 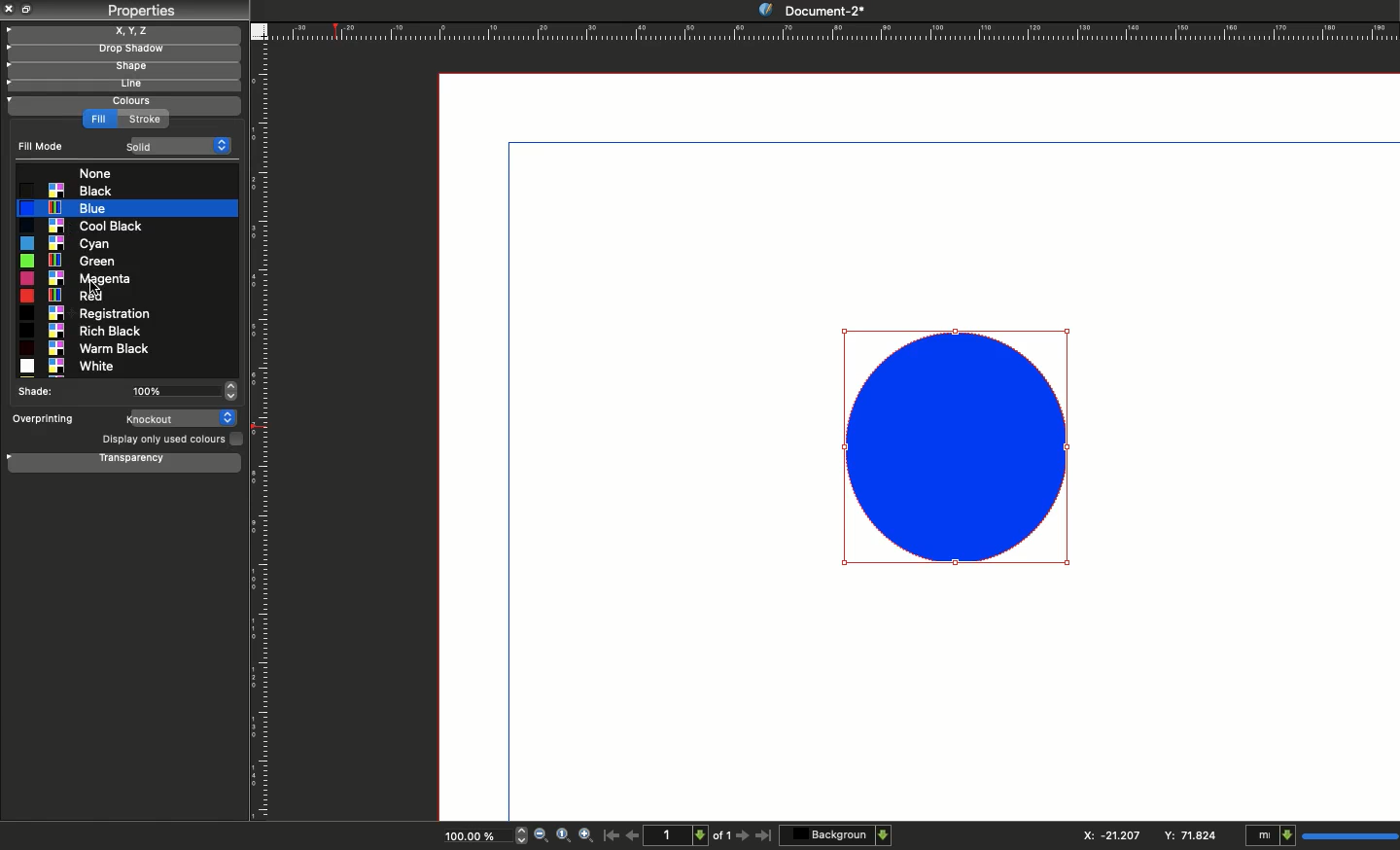 I want to click on Registration, so click(x=91, y=312).